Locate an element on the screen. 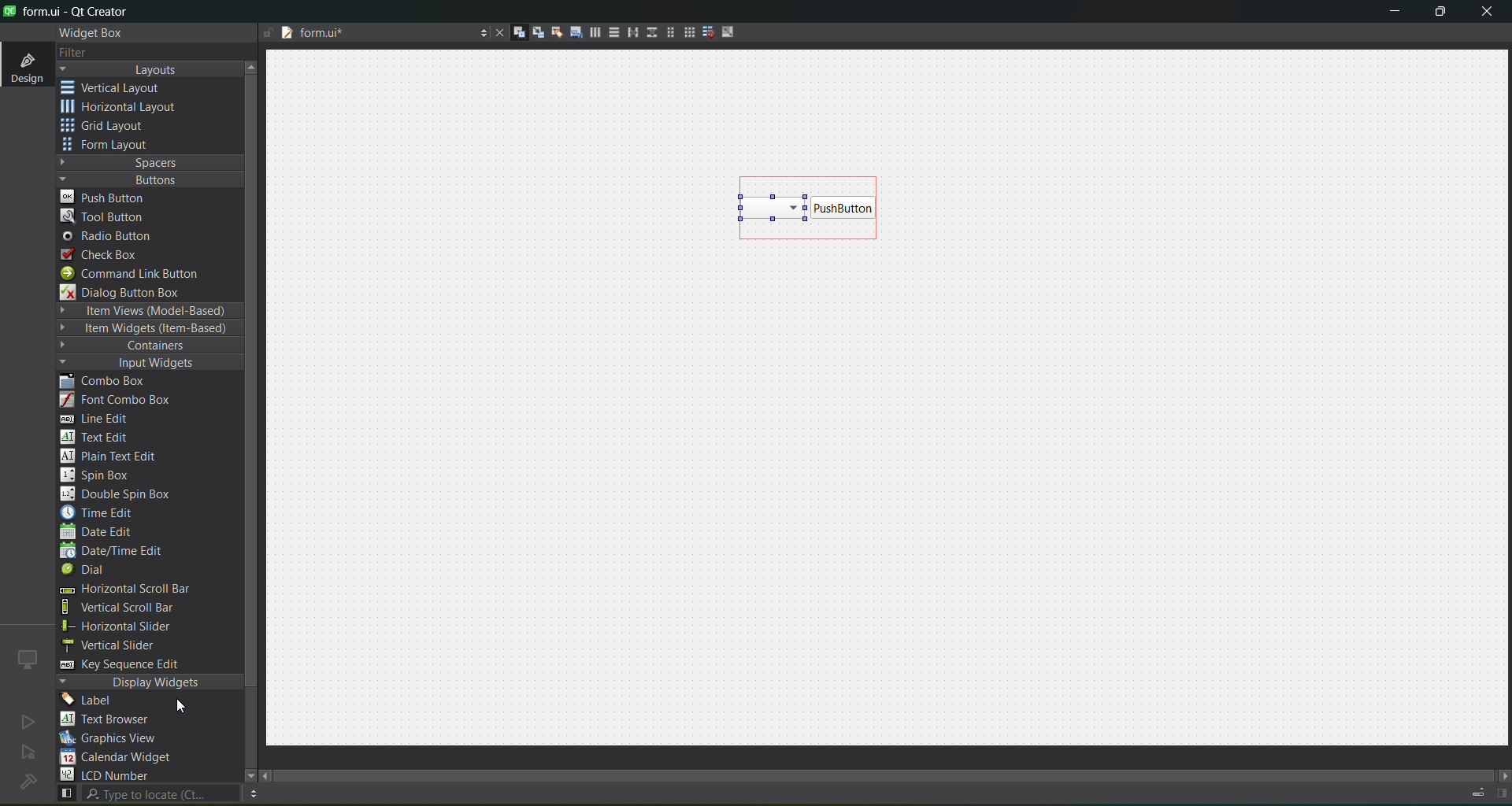 This screenshot has height=806, width=1512. layout in a grid is located at coordinates (684, 32).